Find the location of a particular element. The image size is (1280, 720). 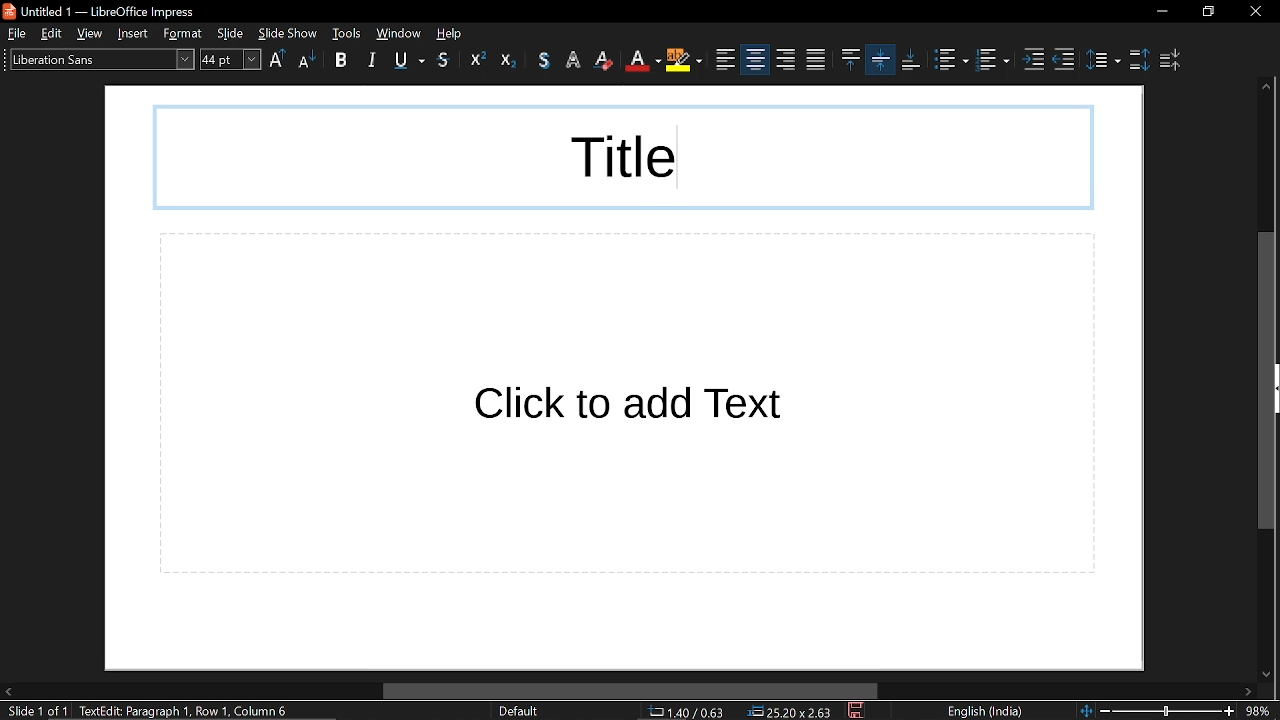

set line spacing is located at coordinates (1103, 58).